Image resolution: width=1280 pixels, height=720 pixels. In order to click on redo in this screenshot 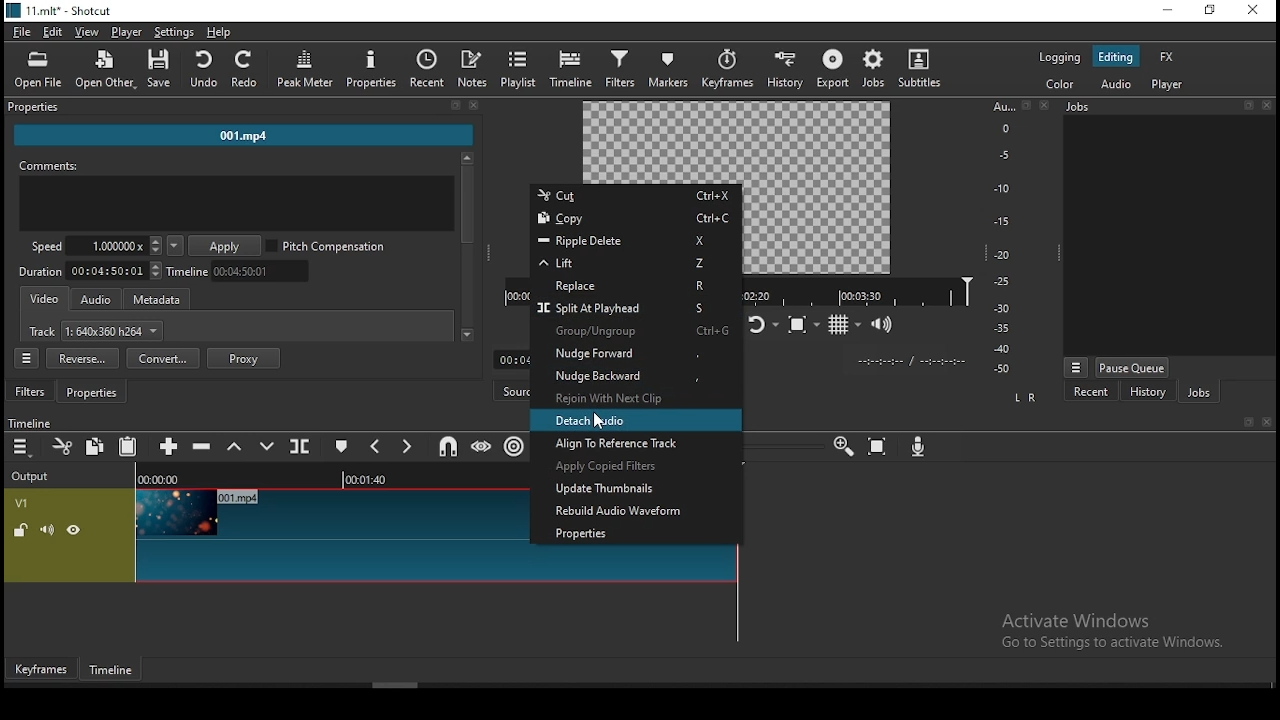, I will do `click(246, 69)`.